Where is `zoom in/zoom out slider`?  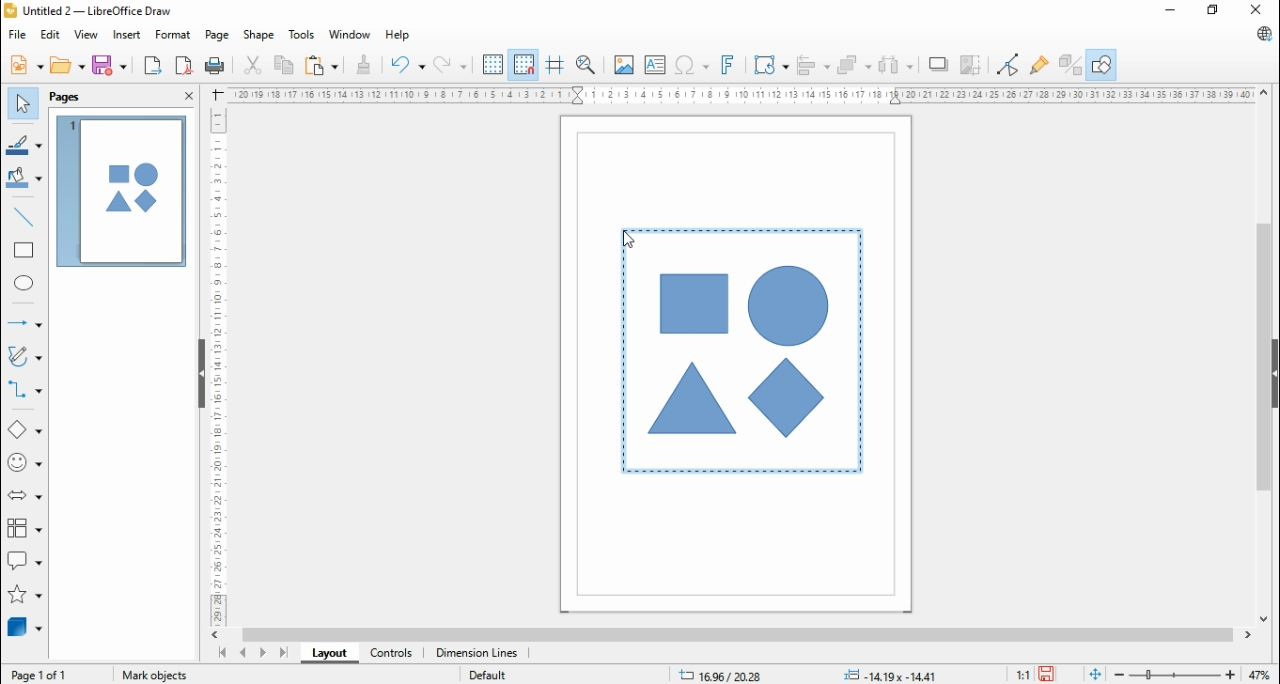 zoom in/zoom out slider is located at coordinates (1174, 674).